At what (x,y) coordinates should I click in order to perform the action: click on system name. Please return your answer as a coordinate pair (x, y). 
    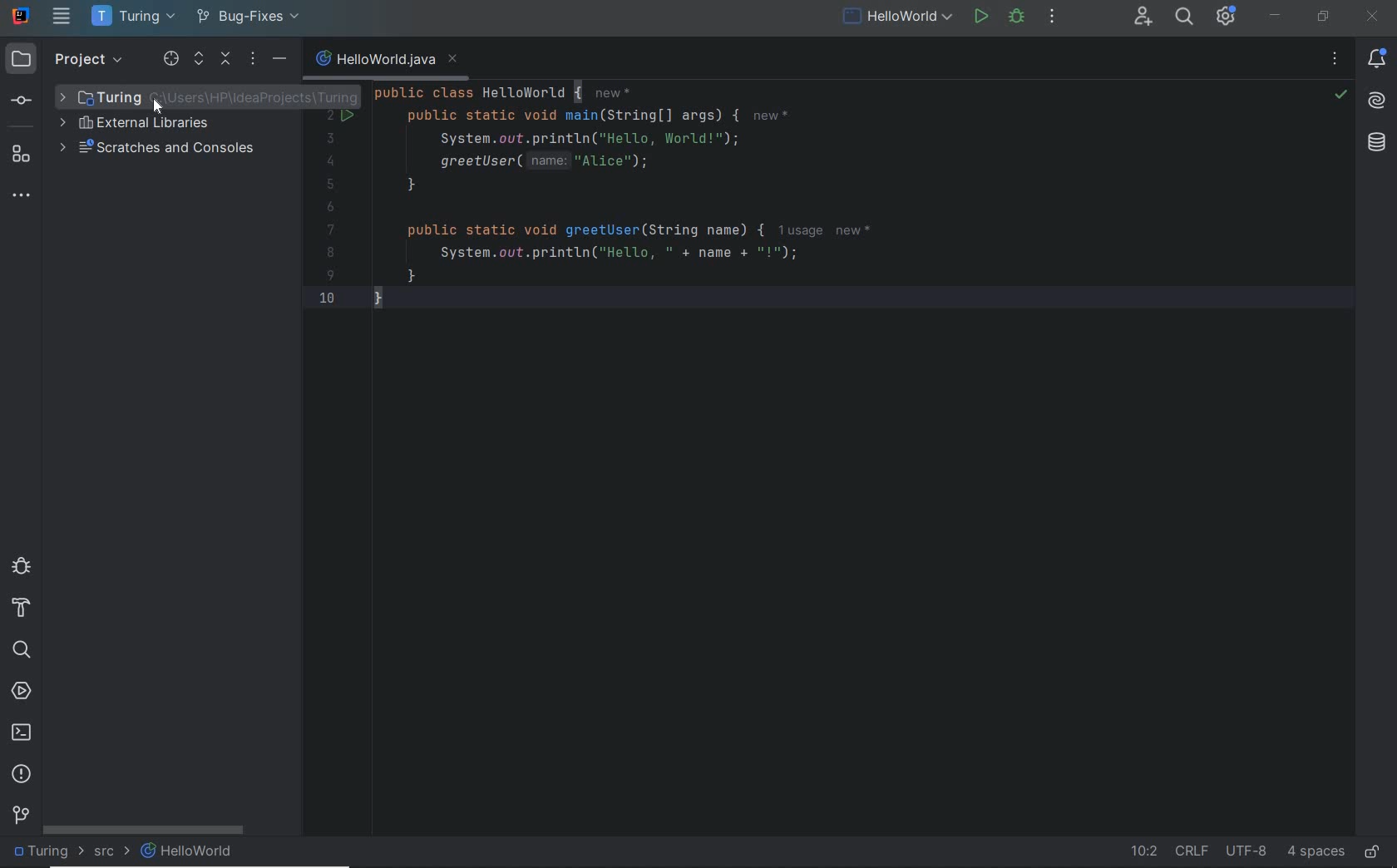
    Looking at the image, I should click on (22, 14).